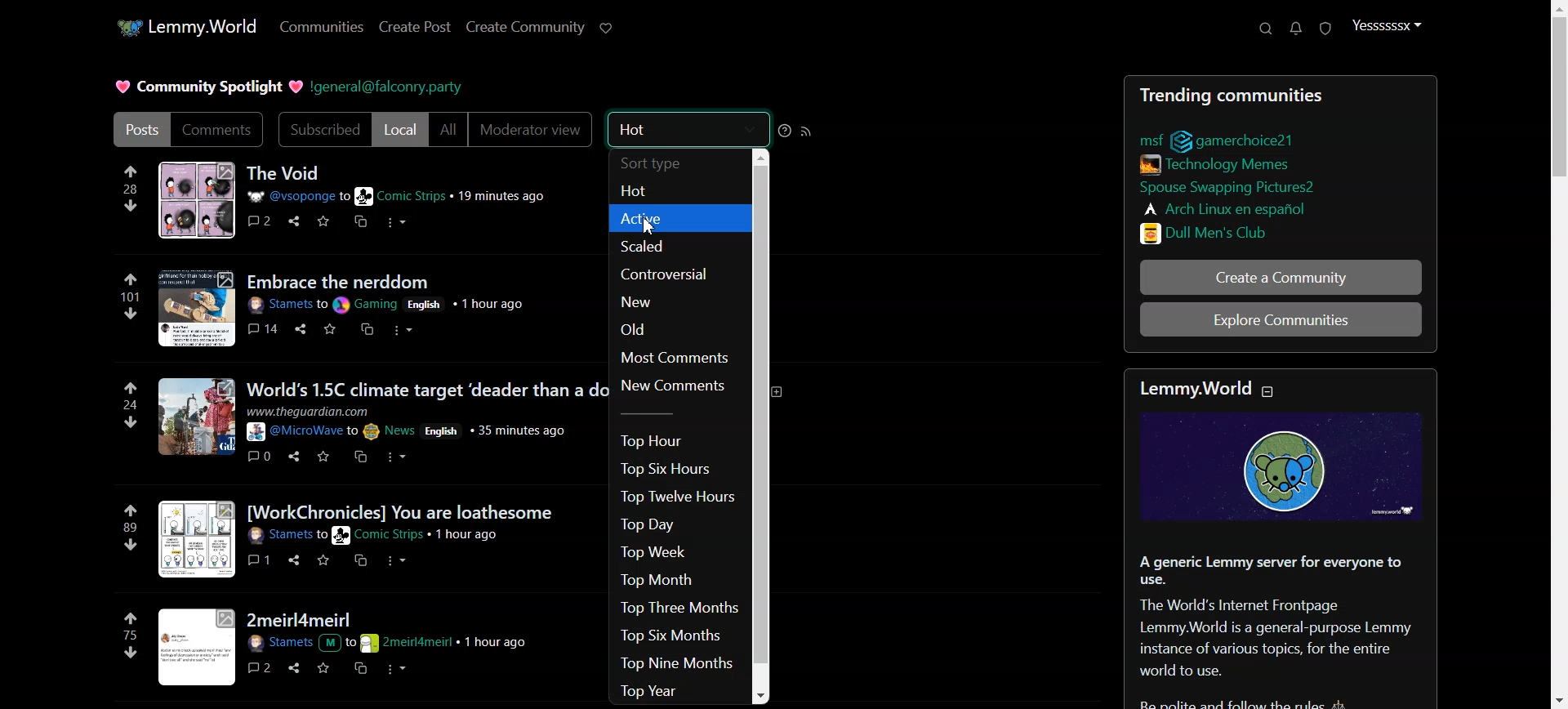 Image resolution: width=1568 pixels, height=709 pixels. Describe the element at coordinates (131, 188) in the screenshot. I see `28` at that location.